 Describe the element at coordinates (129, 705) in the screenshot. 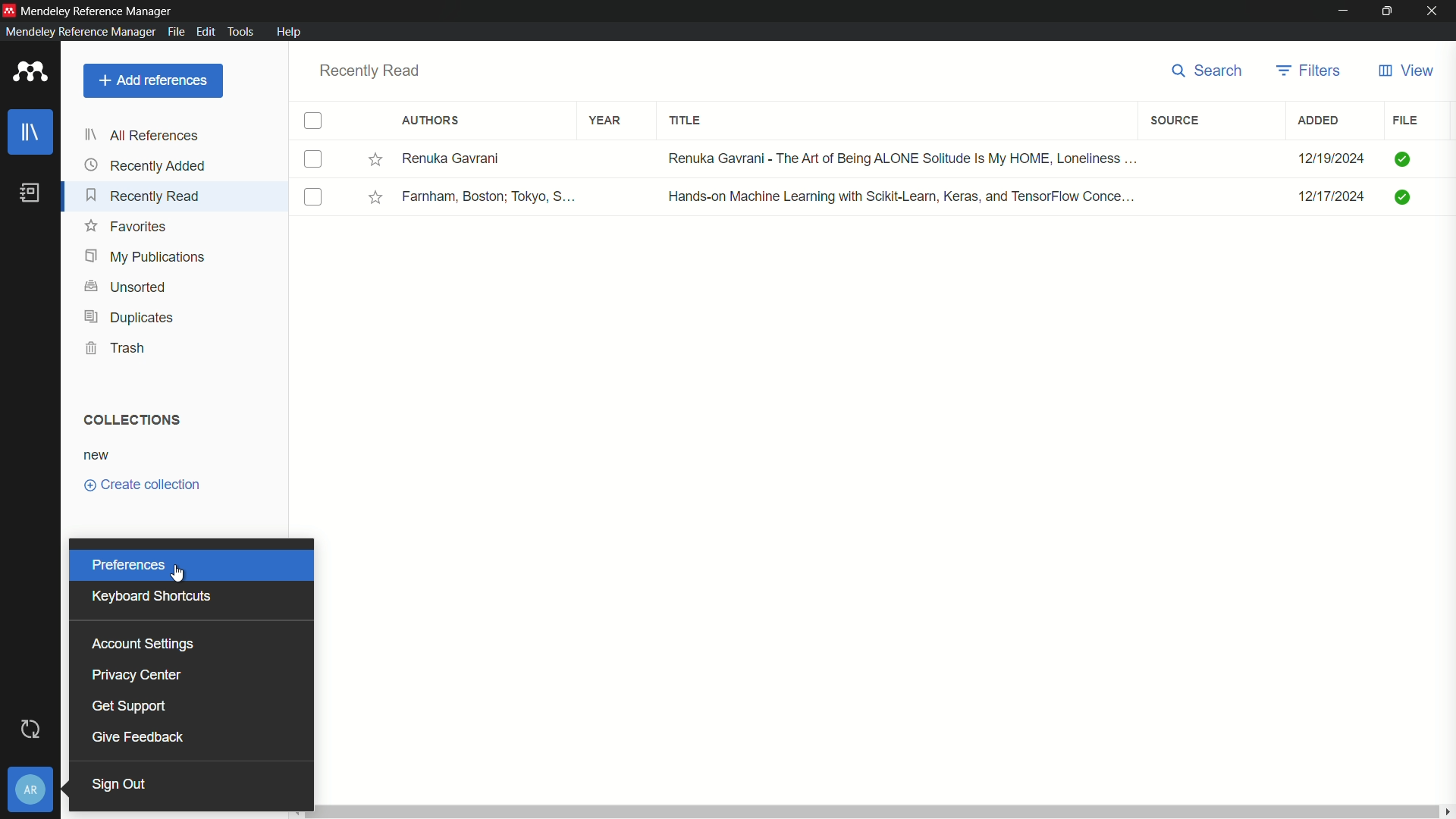

I see `get support` at that location.